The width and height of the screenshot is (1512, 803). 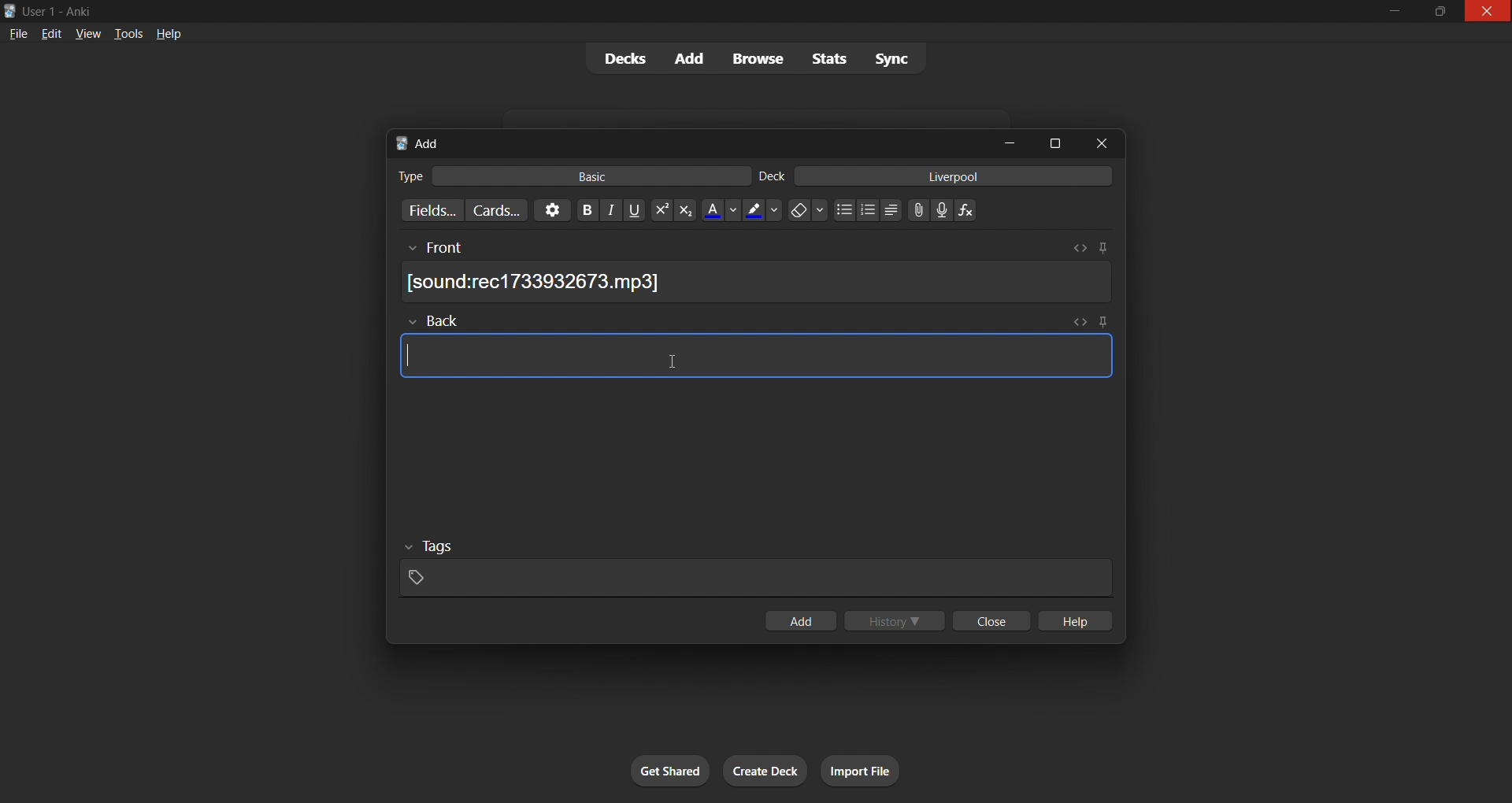 What do you see at coordinates (685, 211) in the screenshot?
I see `subscript` at bounding box center [685, 211].